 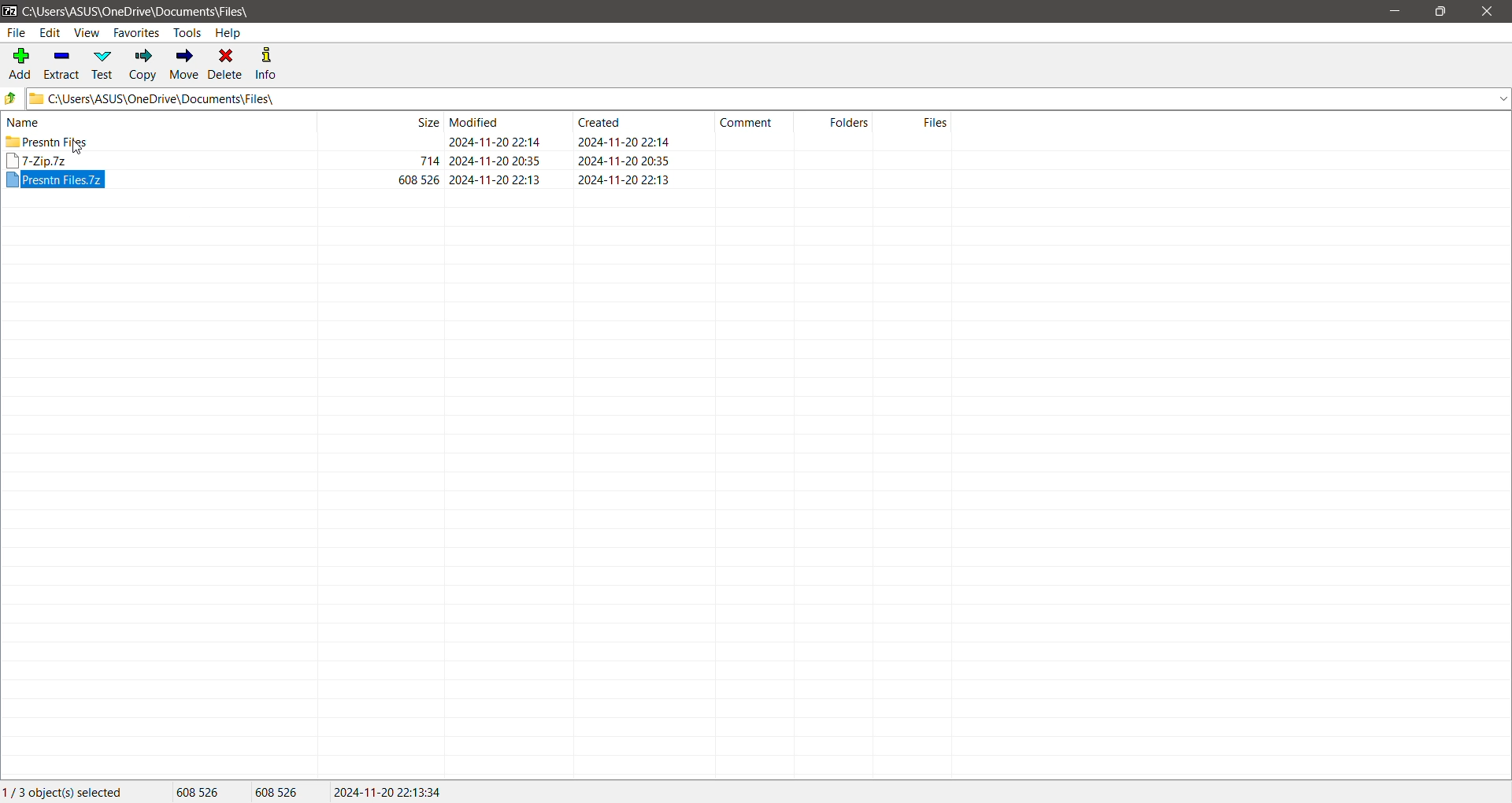 What do you see at coordinates (280, 793) in the screenshot?
I see `Sie of the last fie selected` at bounding box center [280, 793].